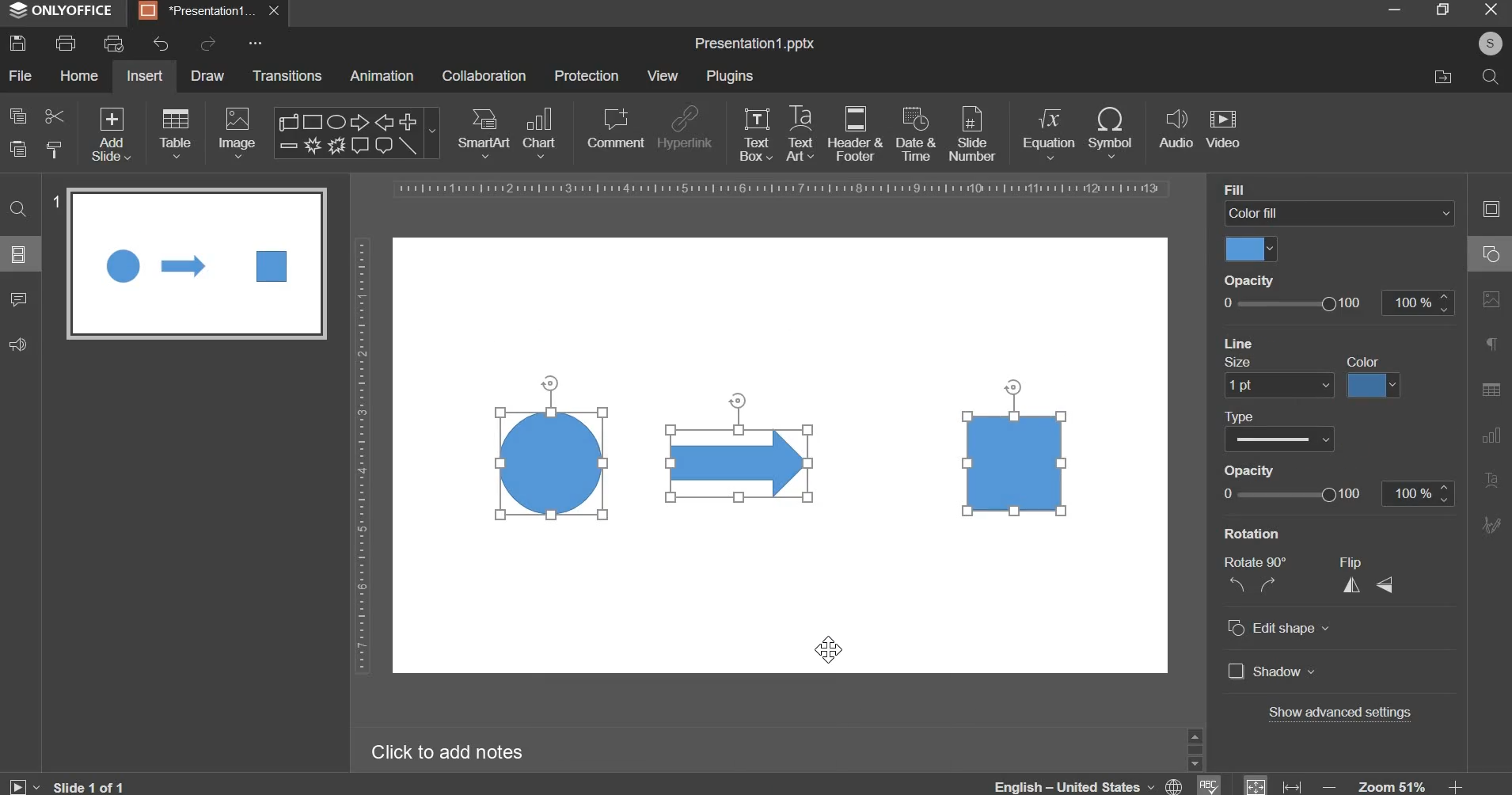 The width and height of the screenshot is (1512, 795). What do you see at coordinates (209, 74) in the screenshot?
I see `draw` at bounding box center [209, 74].